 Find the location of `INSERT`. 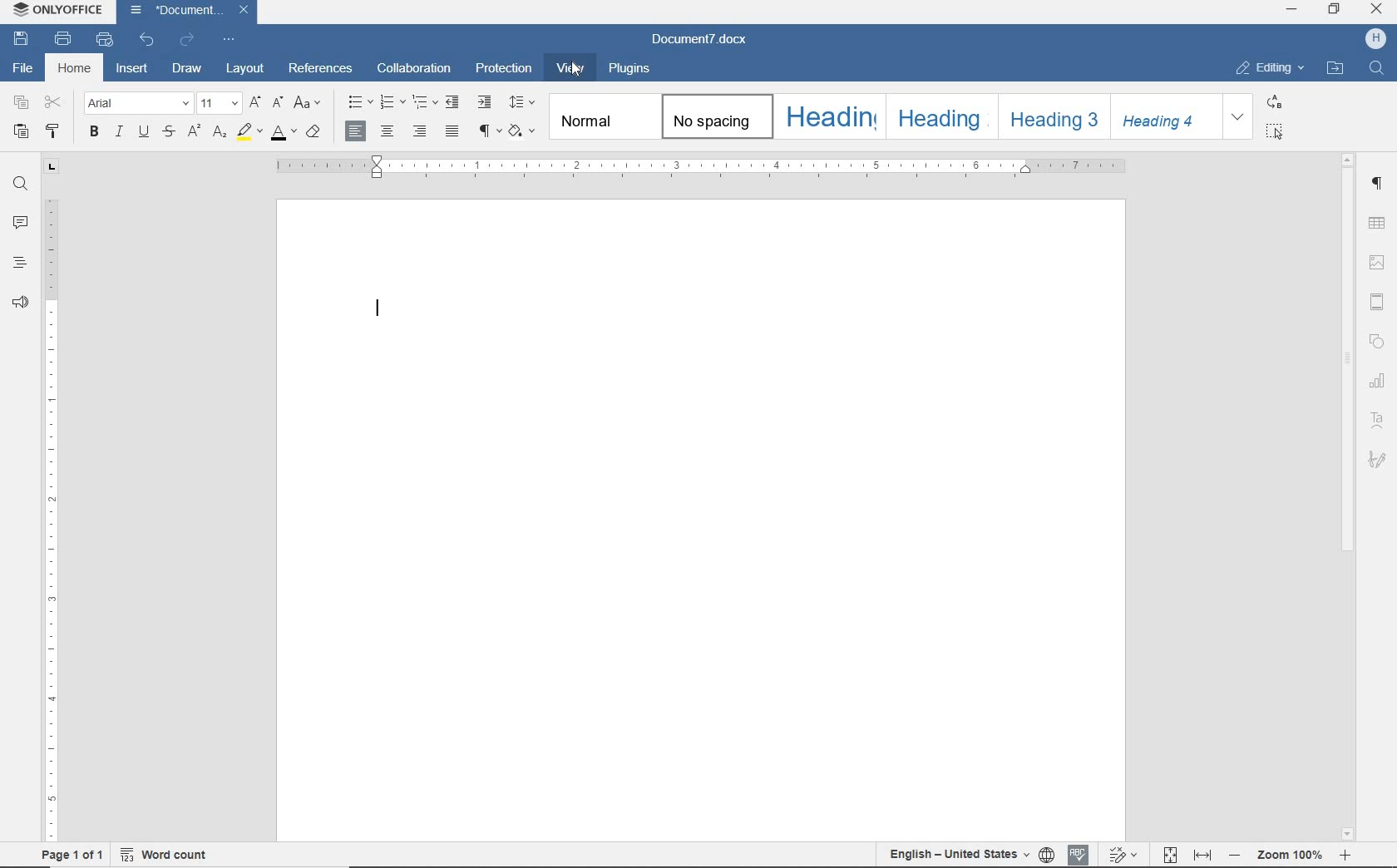

INSERT is located at coordinates (131, 70).